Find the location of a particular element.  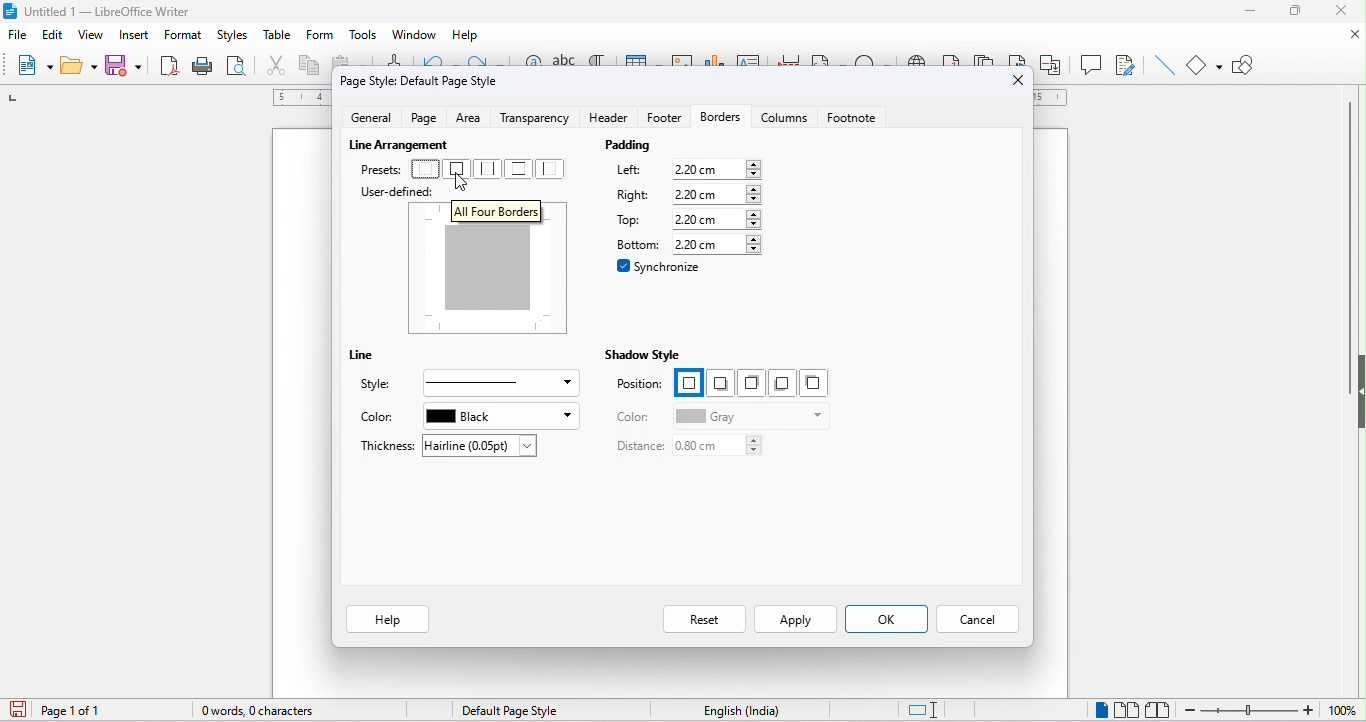

tools is located at coordinates (362, 37).